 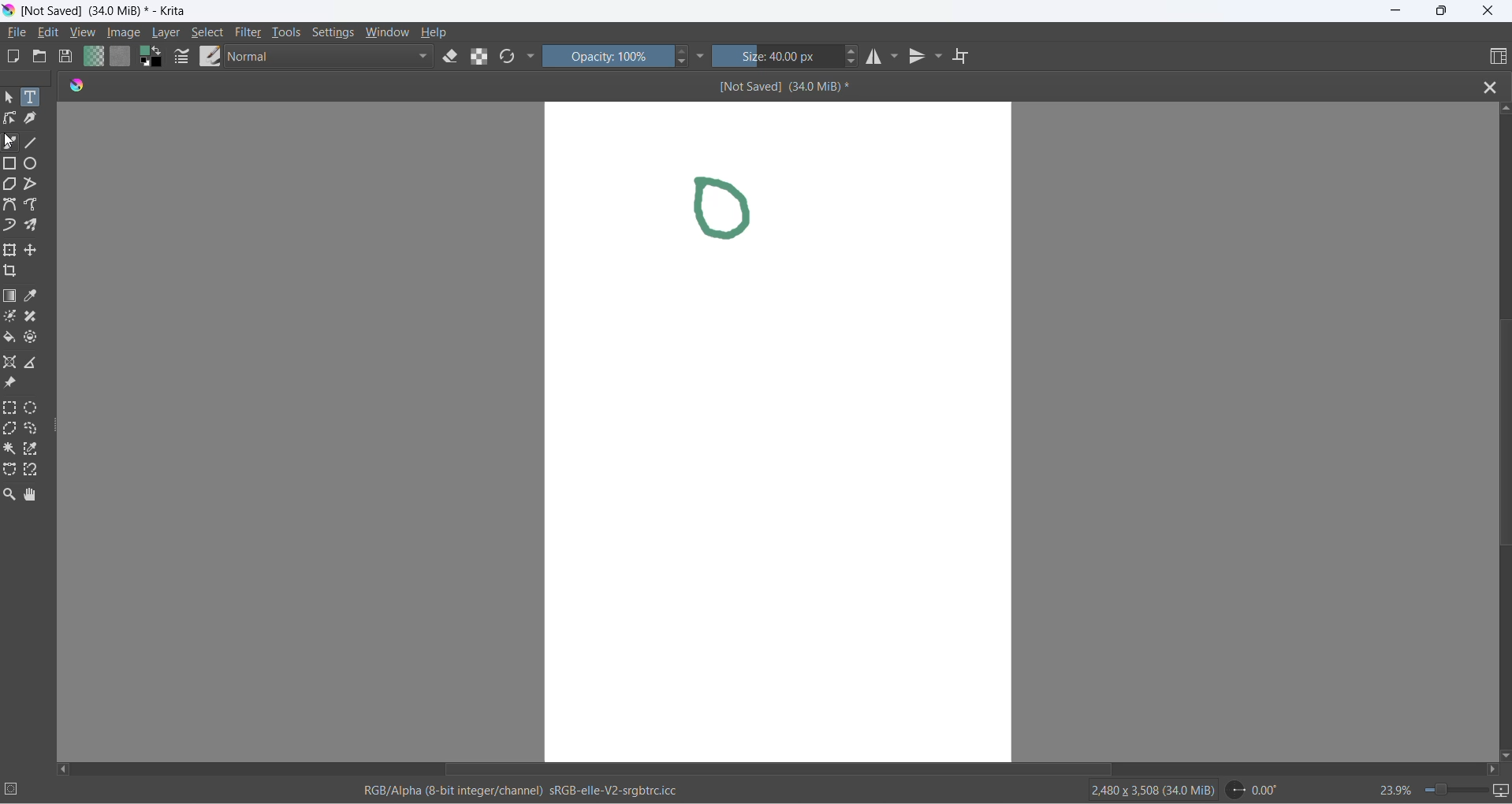 I want to click on reload original presets, so click(x=508, y=56).